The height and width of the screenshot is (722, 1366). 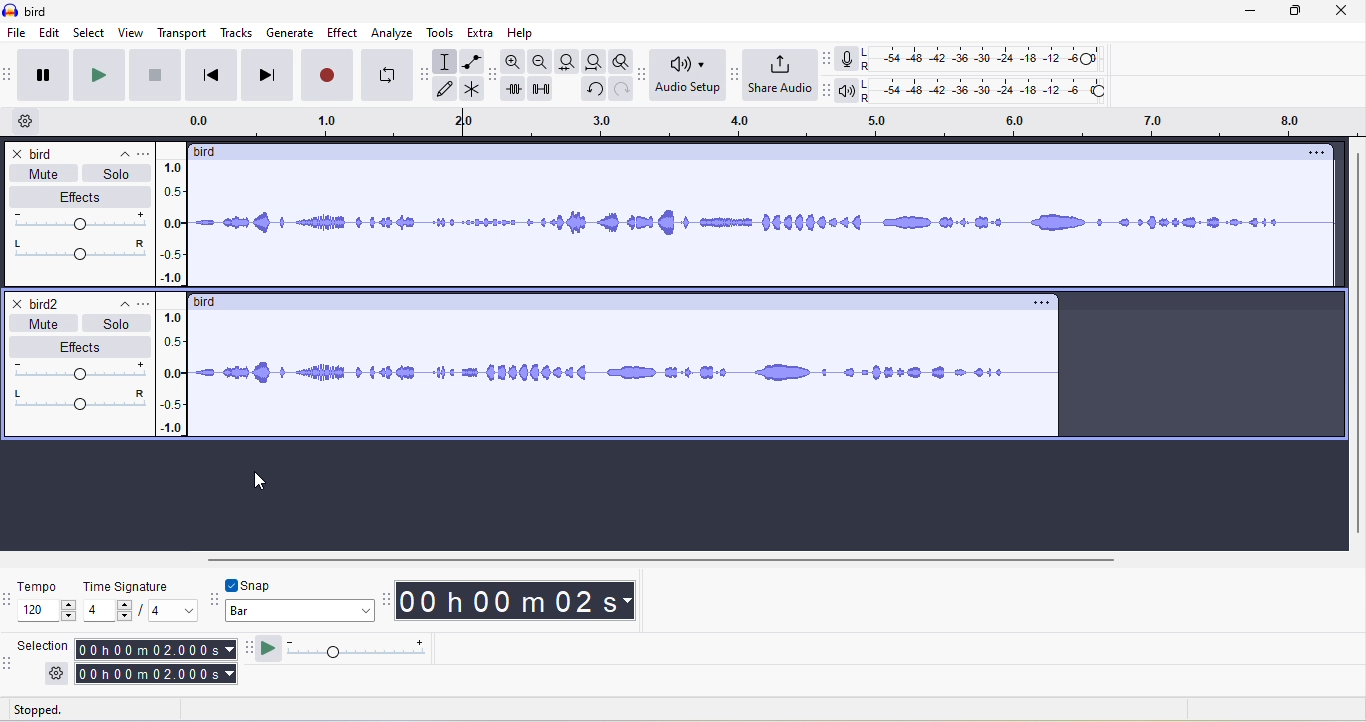 What do you see at coordinates (157, 650) in the screenshot?
I see `00h00m02000s v` at bounding box center [157, 650].